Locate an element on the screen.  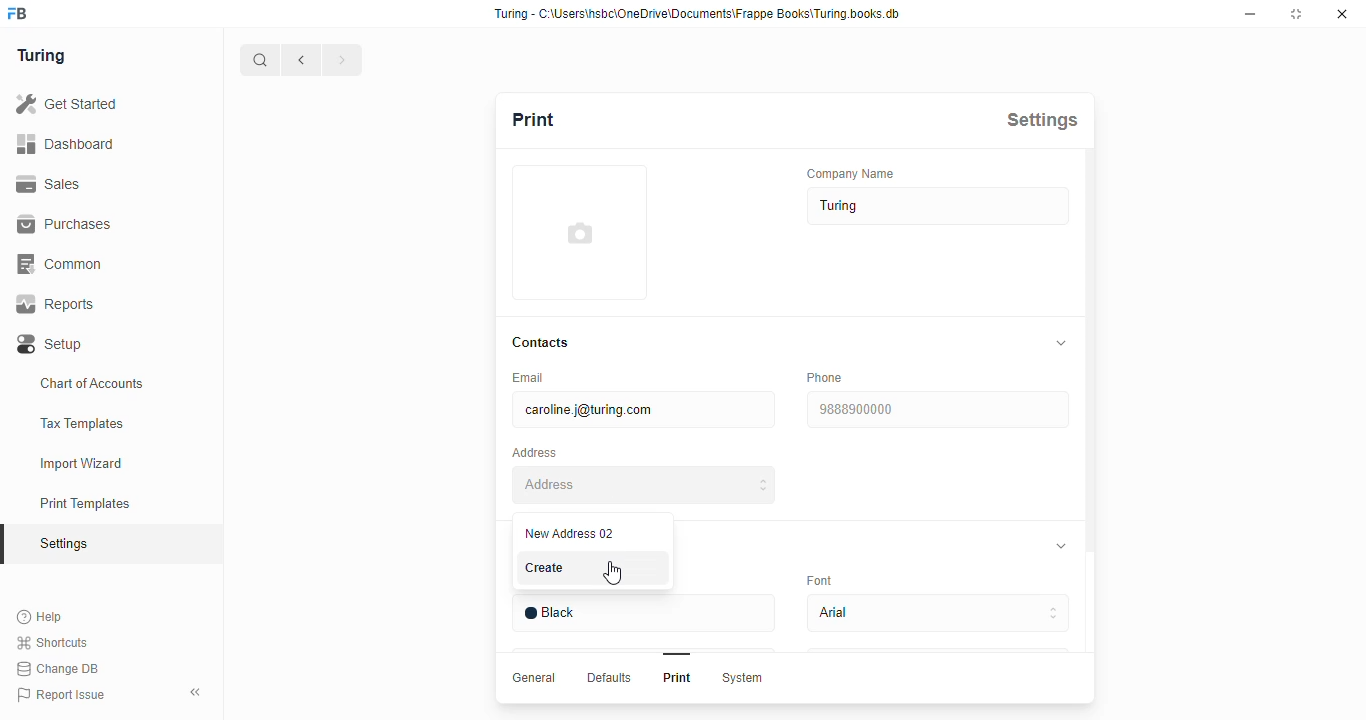
Defaults is located at coordinates (611, 678).